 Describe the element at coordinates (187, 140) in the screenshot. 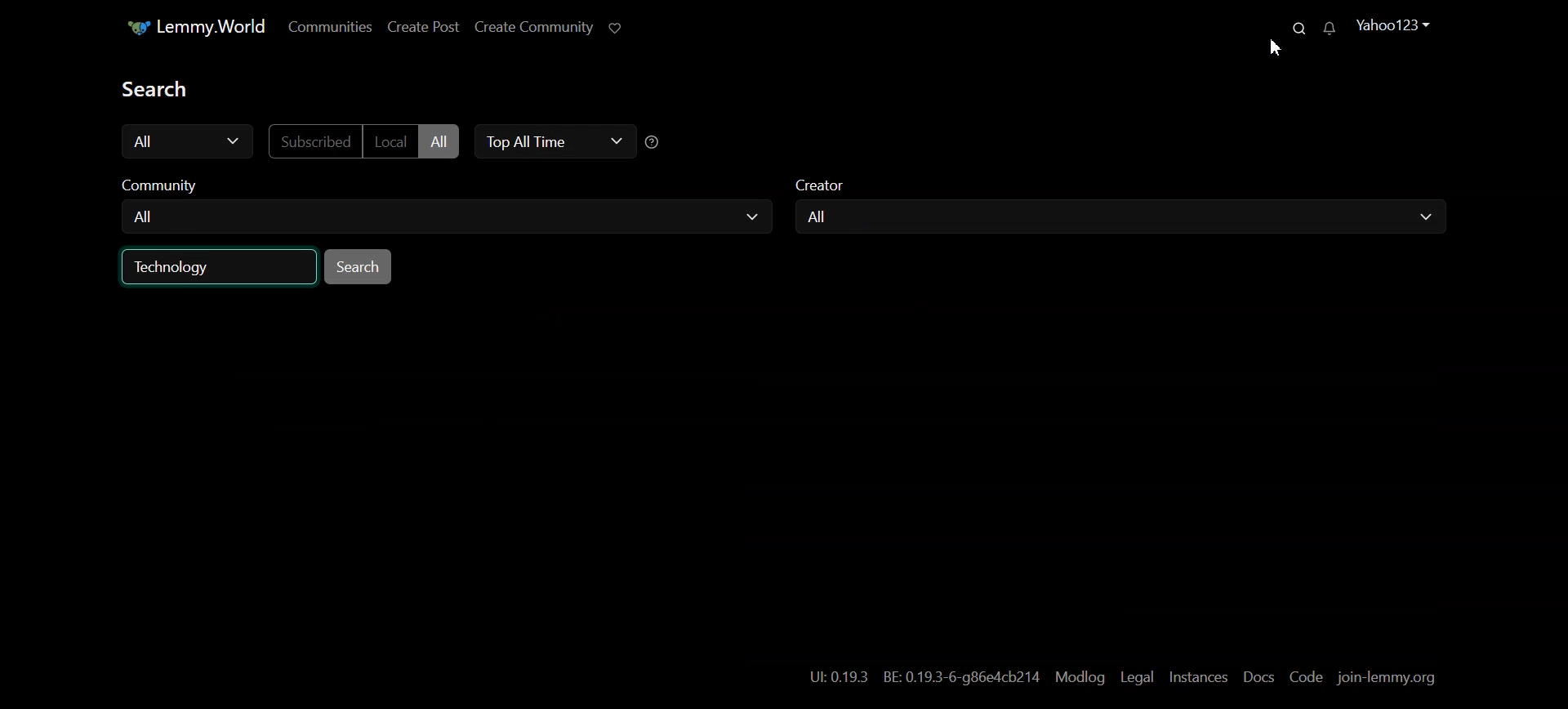

I see `All` at that location.